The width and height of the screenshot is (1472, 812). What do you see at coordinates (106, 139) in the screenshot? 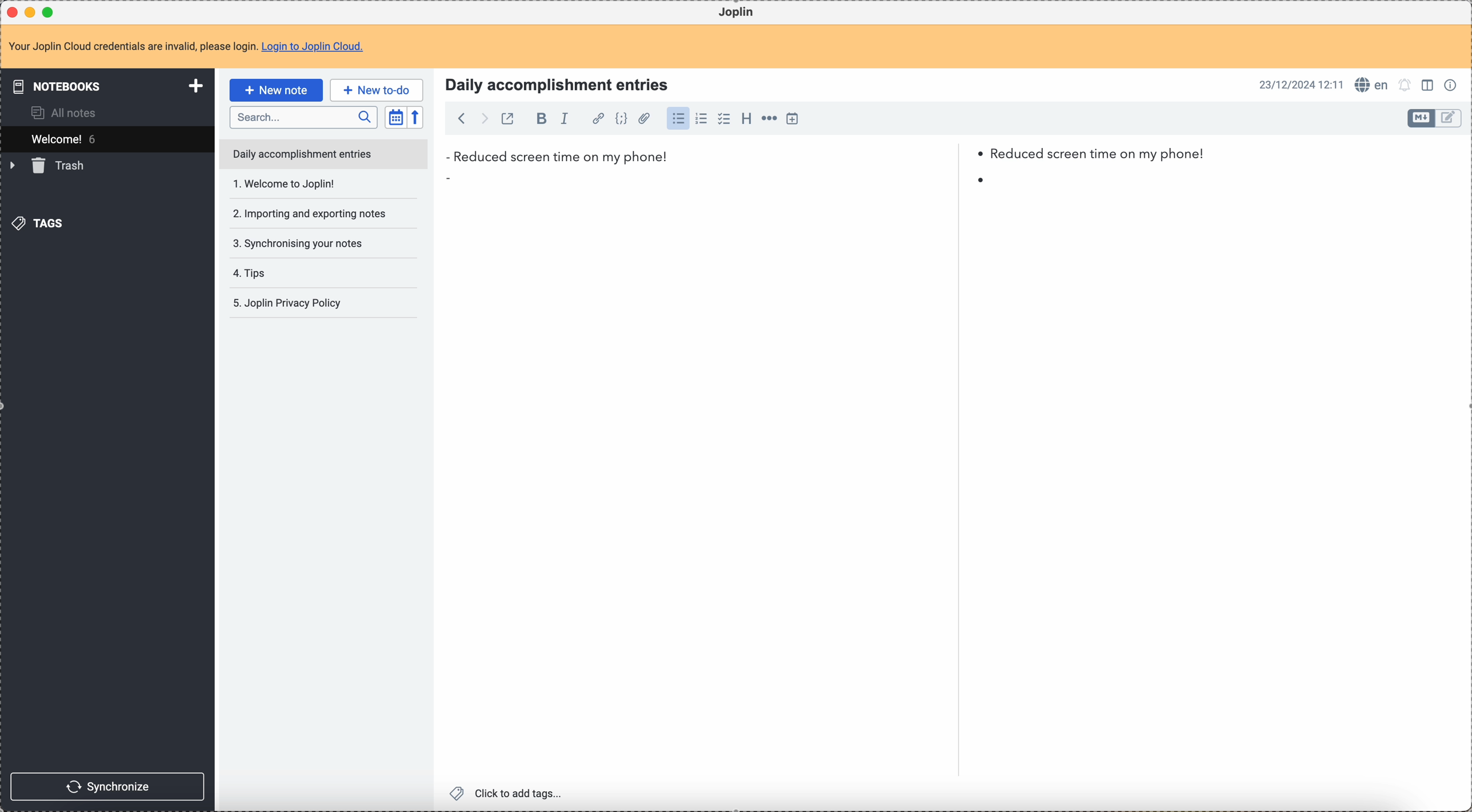
I see `welcome` at bounding box center [106, 139].